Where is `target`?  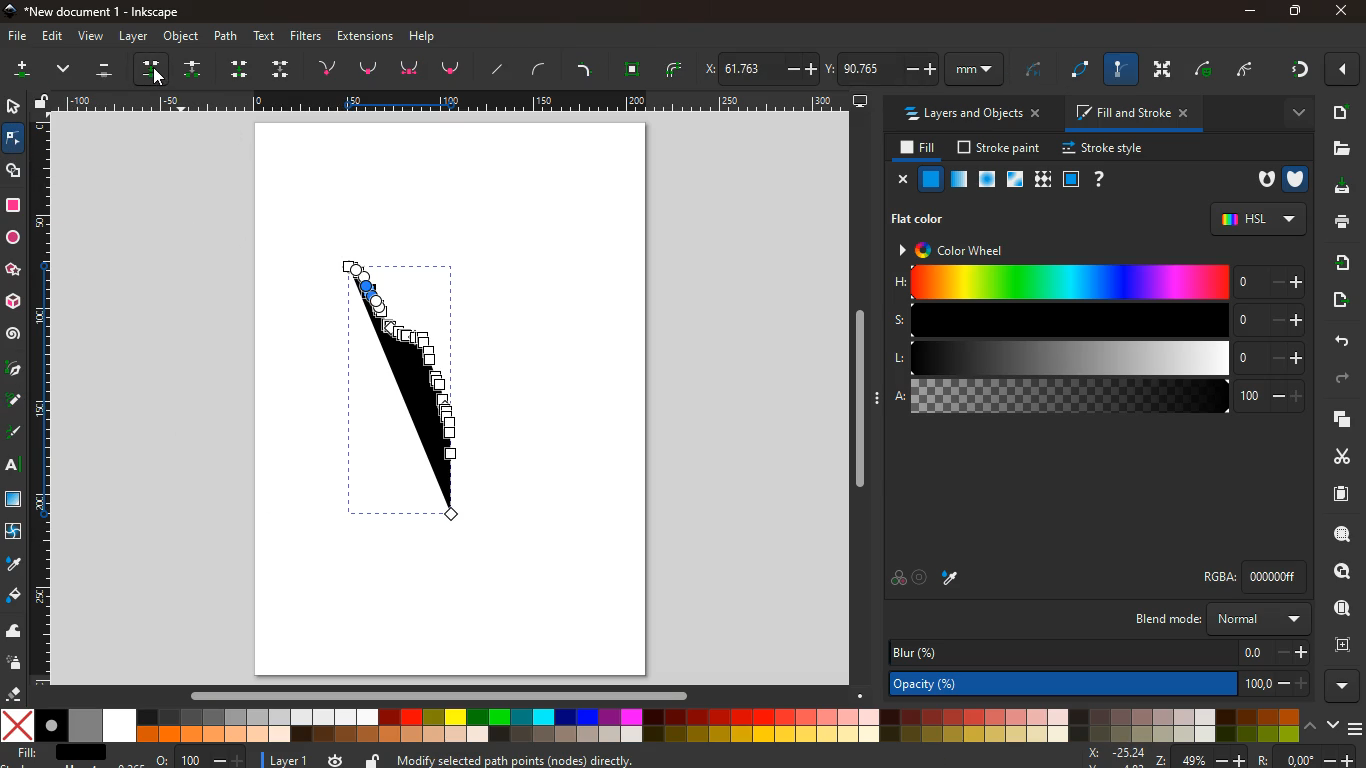 target is located at coordinates (922, 578).